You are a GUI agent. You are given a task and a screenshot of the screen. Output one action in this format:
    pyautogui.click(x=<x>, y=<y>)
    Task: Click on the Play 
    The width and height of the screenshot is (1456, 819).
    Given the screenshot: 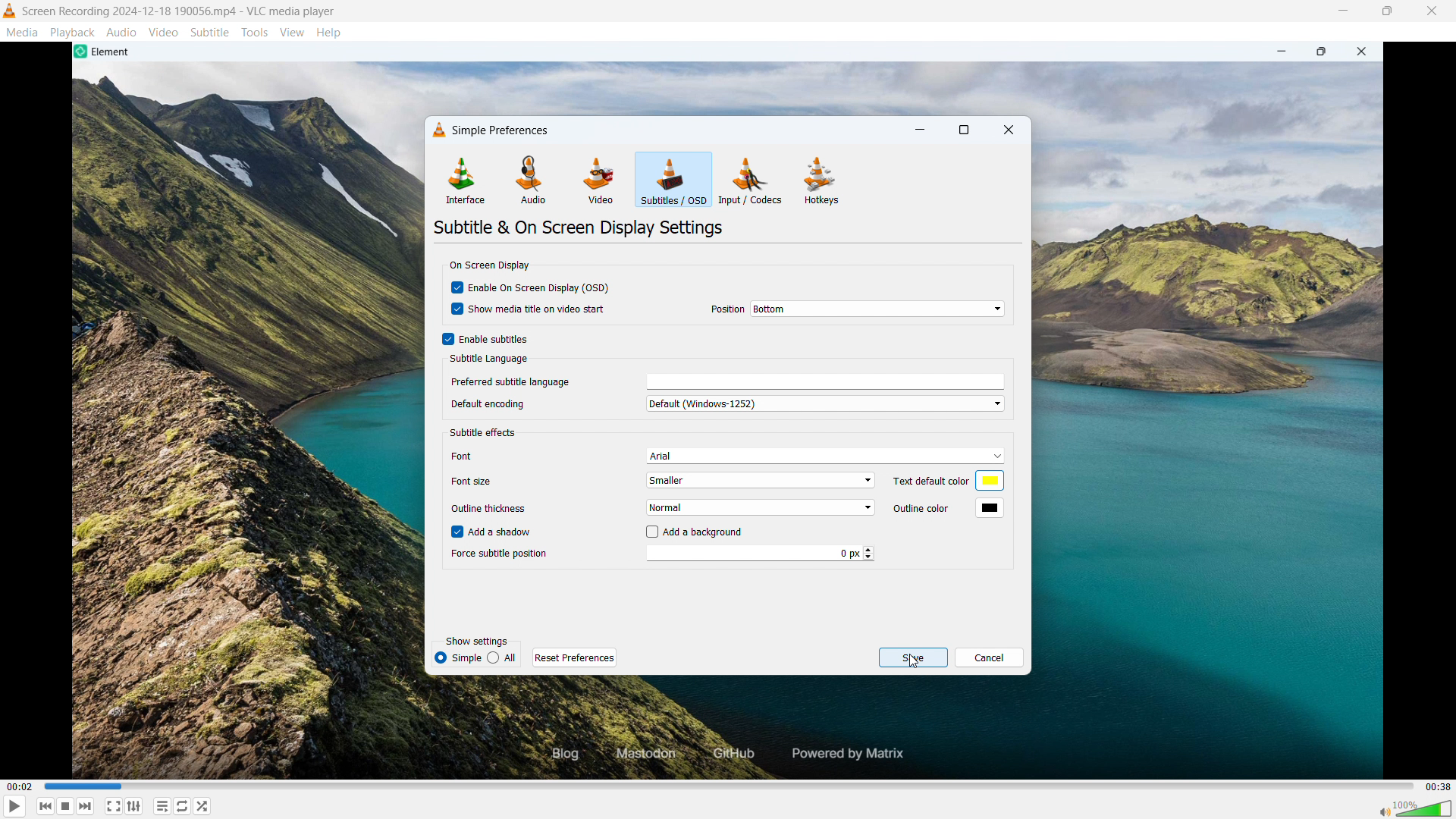 What is the action you would take?
    pyautogui.click(x=14, y=806)
    